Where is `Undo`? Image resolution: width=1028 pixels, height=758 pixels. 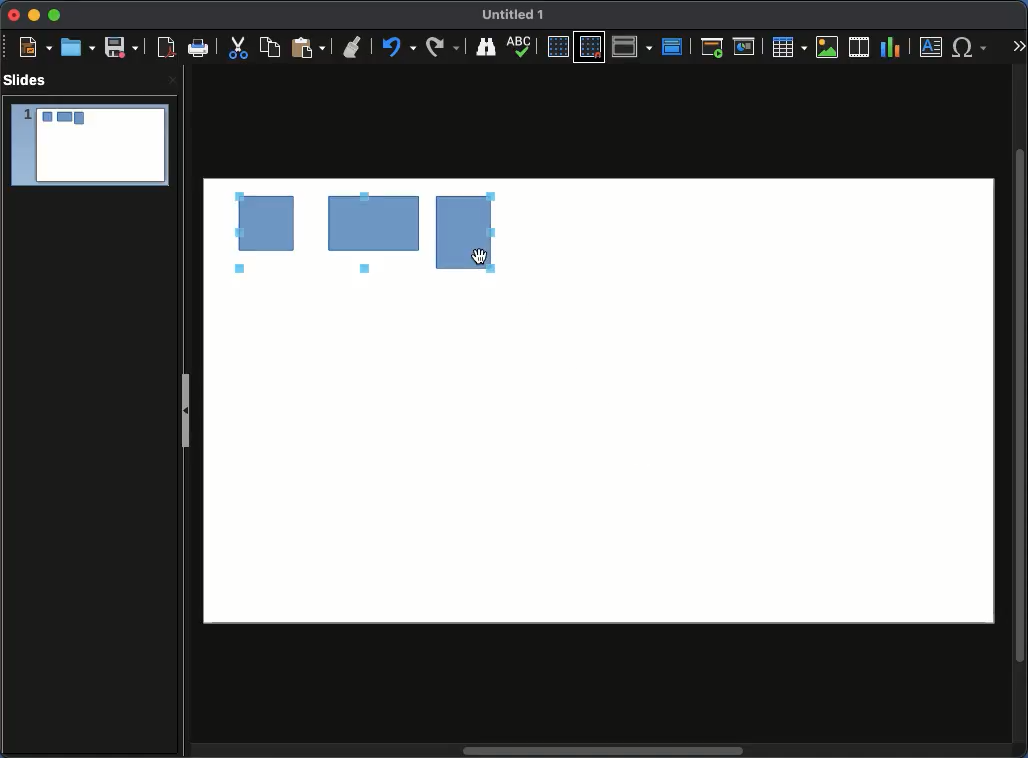
Undo is located at coordinates (352, 43).